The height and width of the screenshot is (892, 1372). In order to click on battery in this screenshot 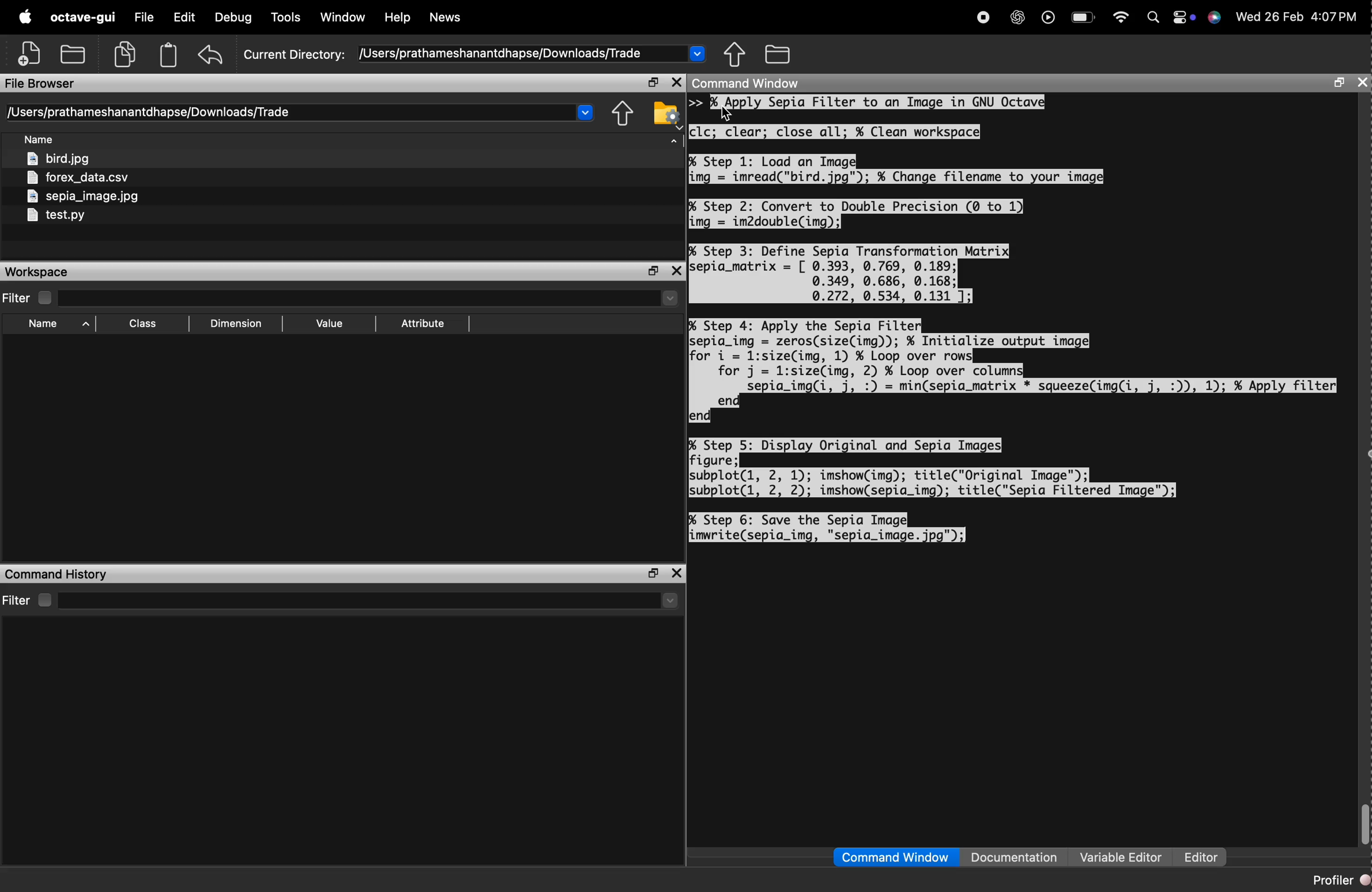, I will do `click(1084, 17)`.